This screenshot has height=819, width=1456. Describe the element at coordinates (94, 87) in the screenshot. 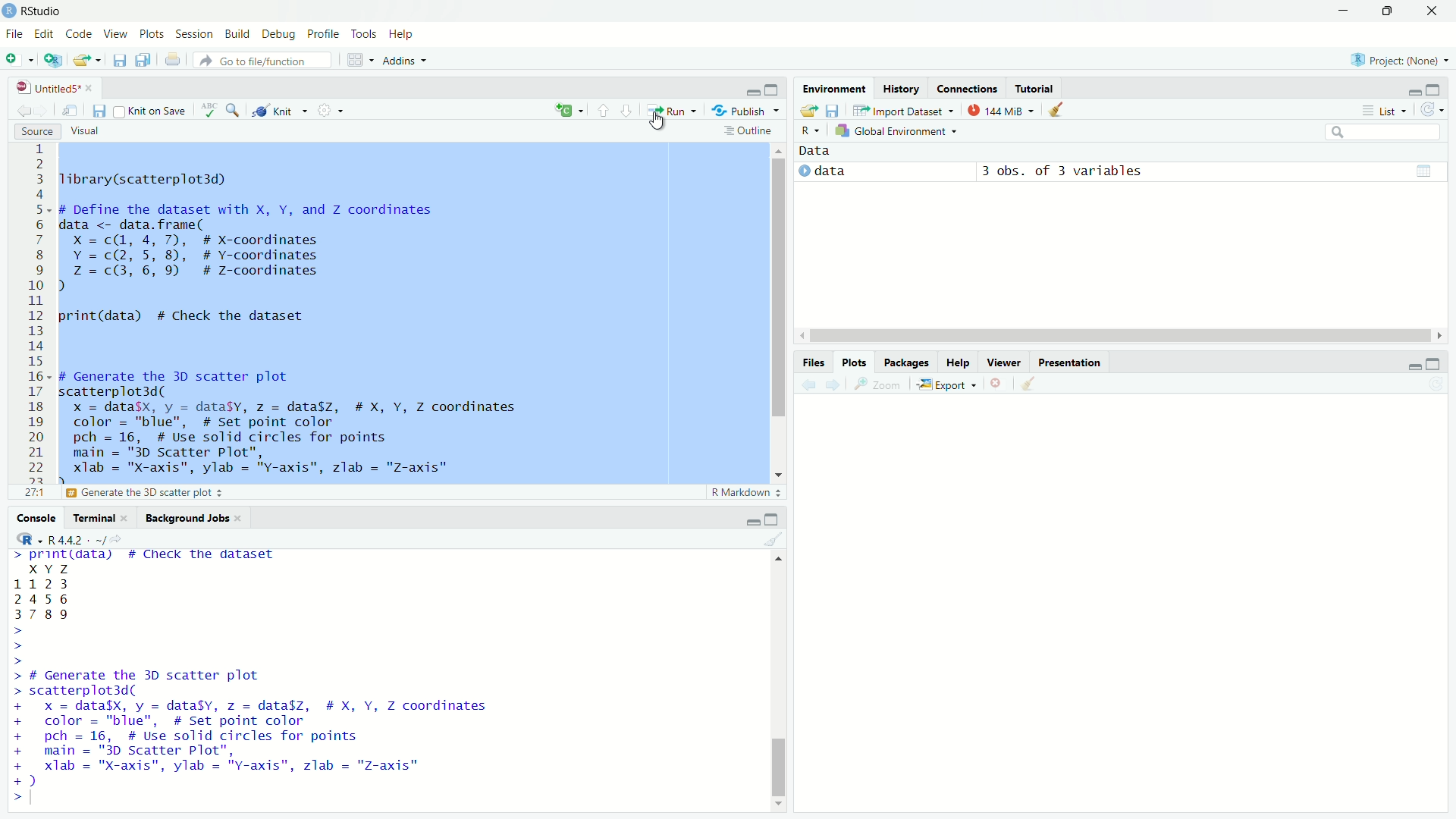

I see `close` at that location.